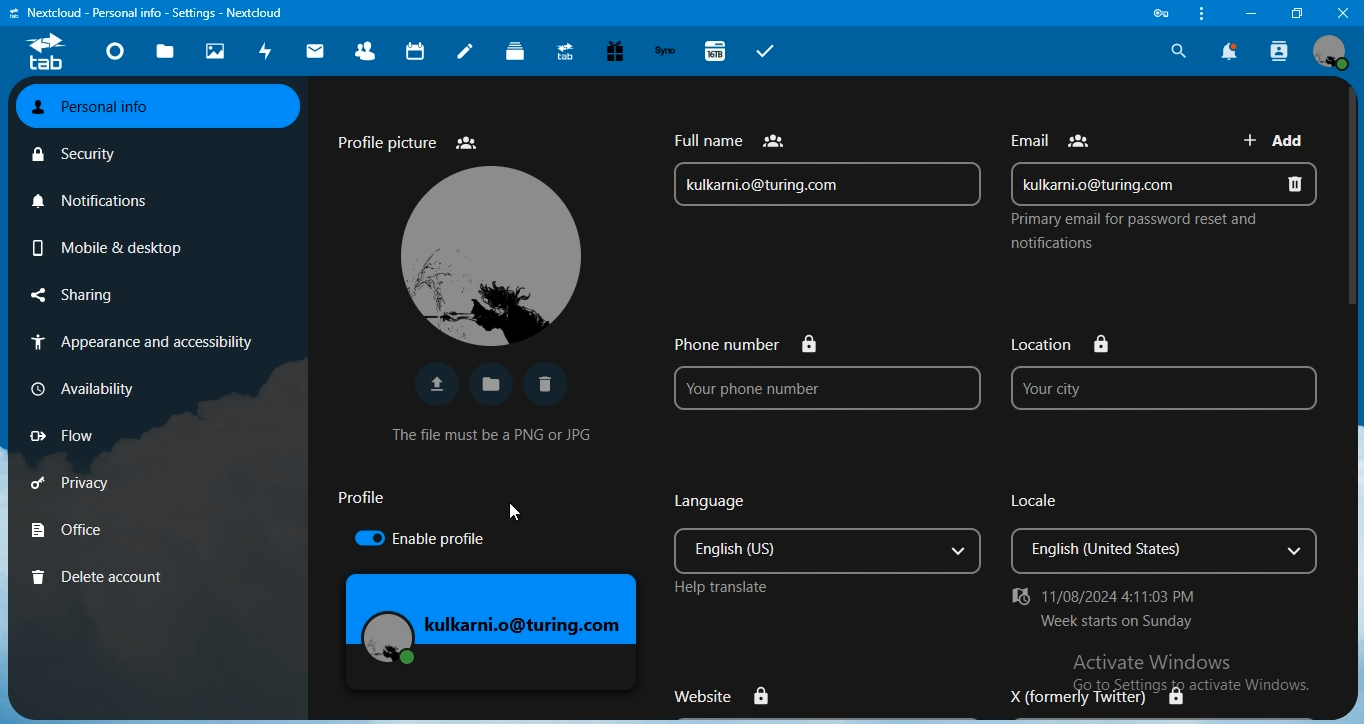  I want to click on text, so click(153, 13).